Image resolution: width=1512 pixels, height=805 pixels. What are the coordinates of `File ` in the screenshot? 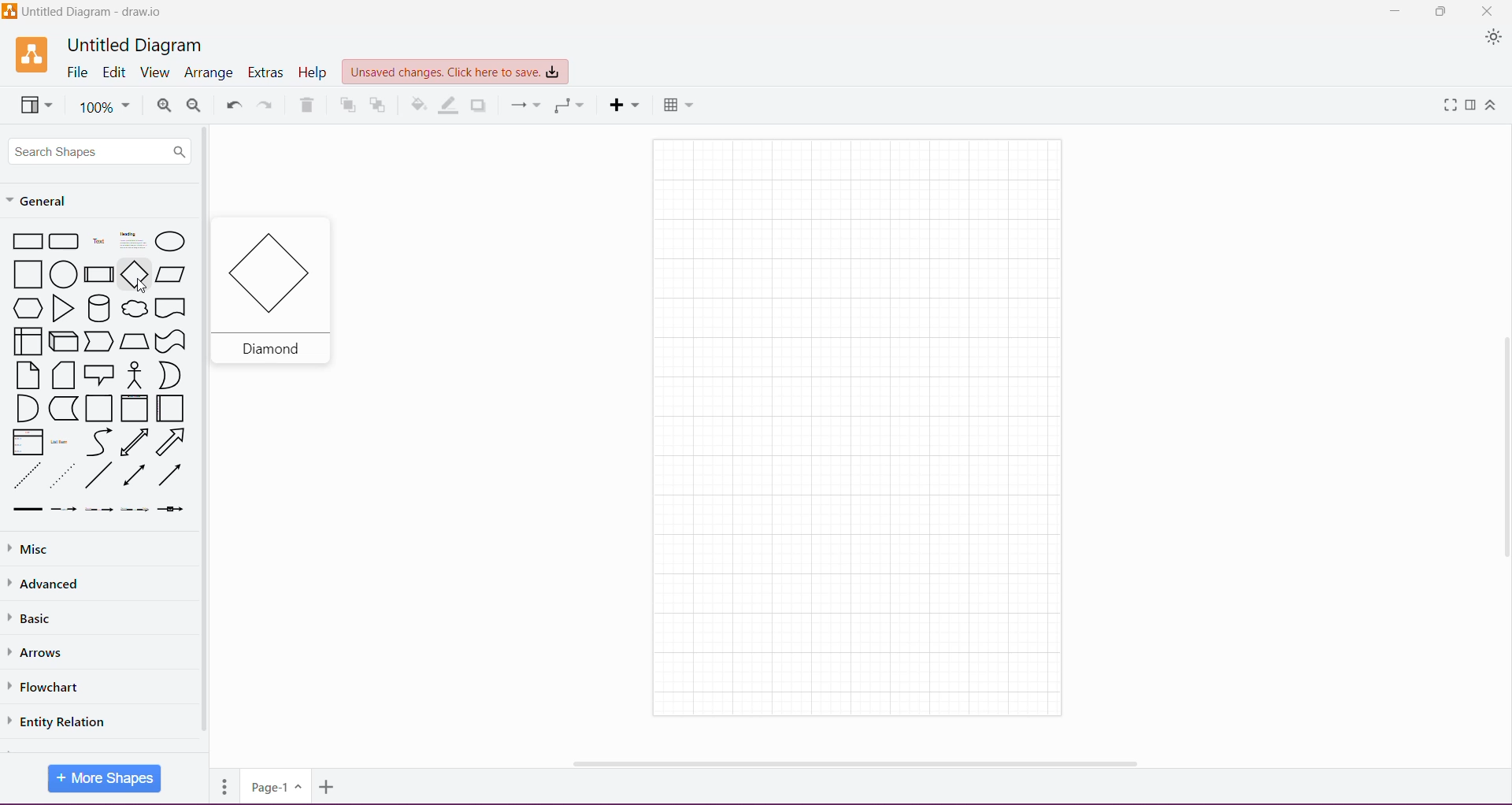 It's located at (77, 72).